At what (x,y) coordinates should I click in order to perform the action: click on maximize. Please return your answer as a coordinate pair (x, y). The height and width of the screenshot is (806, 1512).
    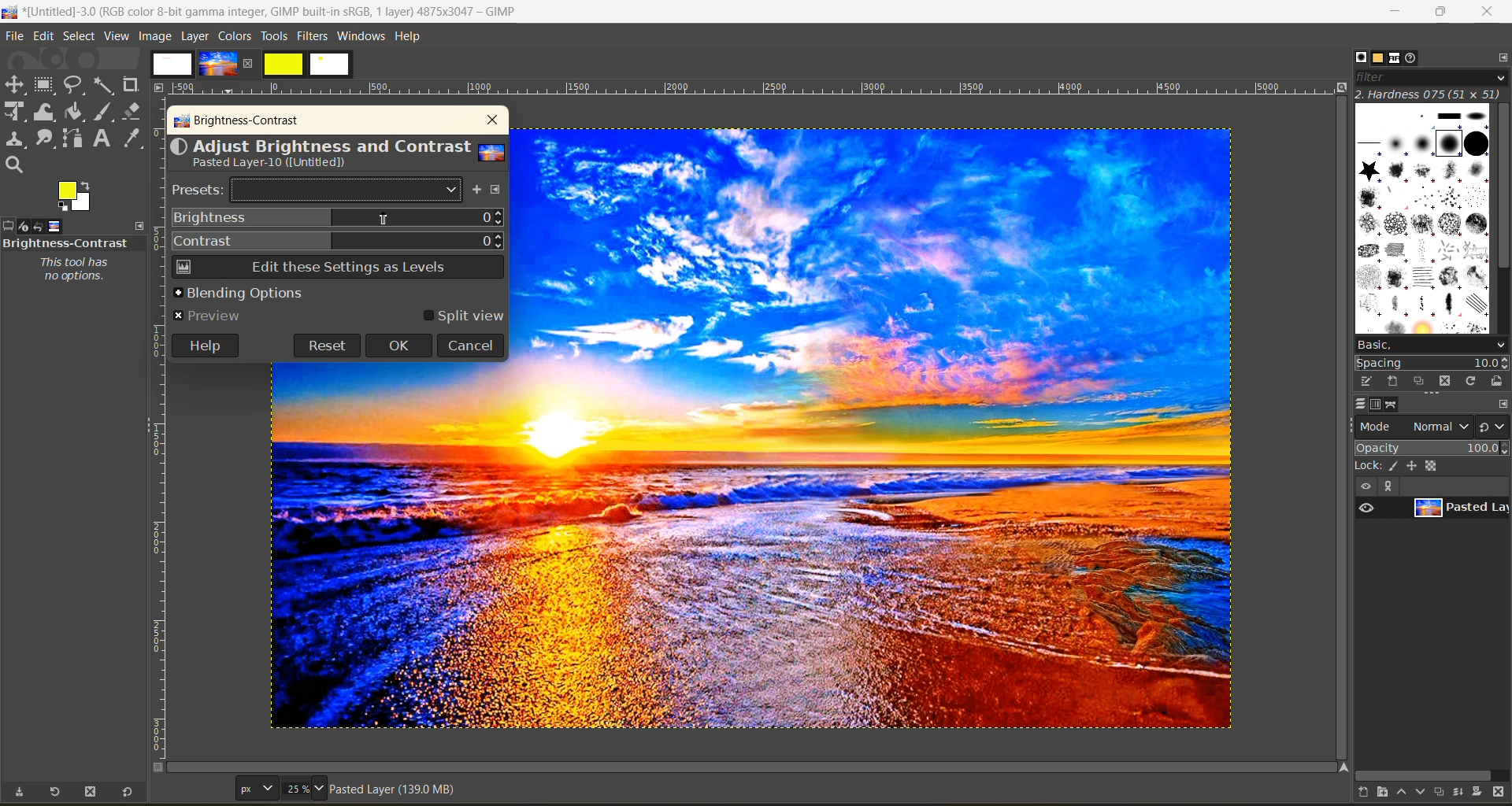
    Looking at the image, I should click on (1440, 12).